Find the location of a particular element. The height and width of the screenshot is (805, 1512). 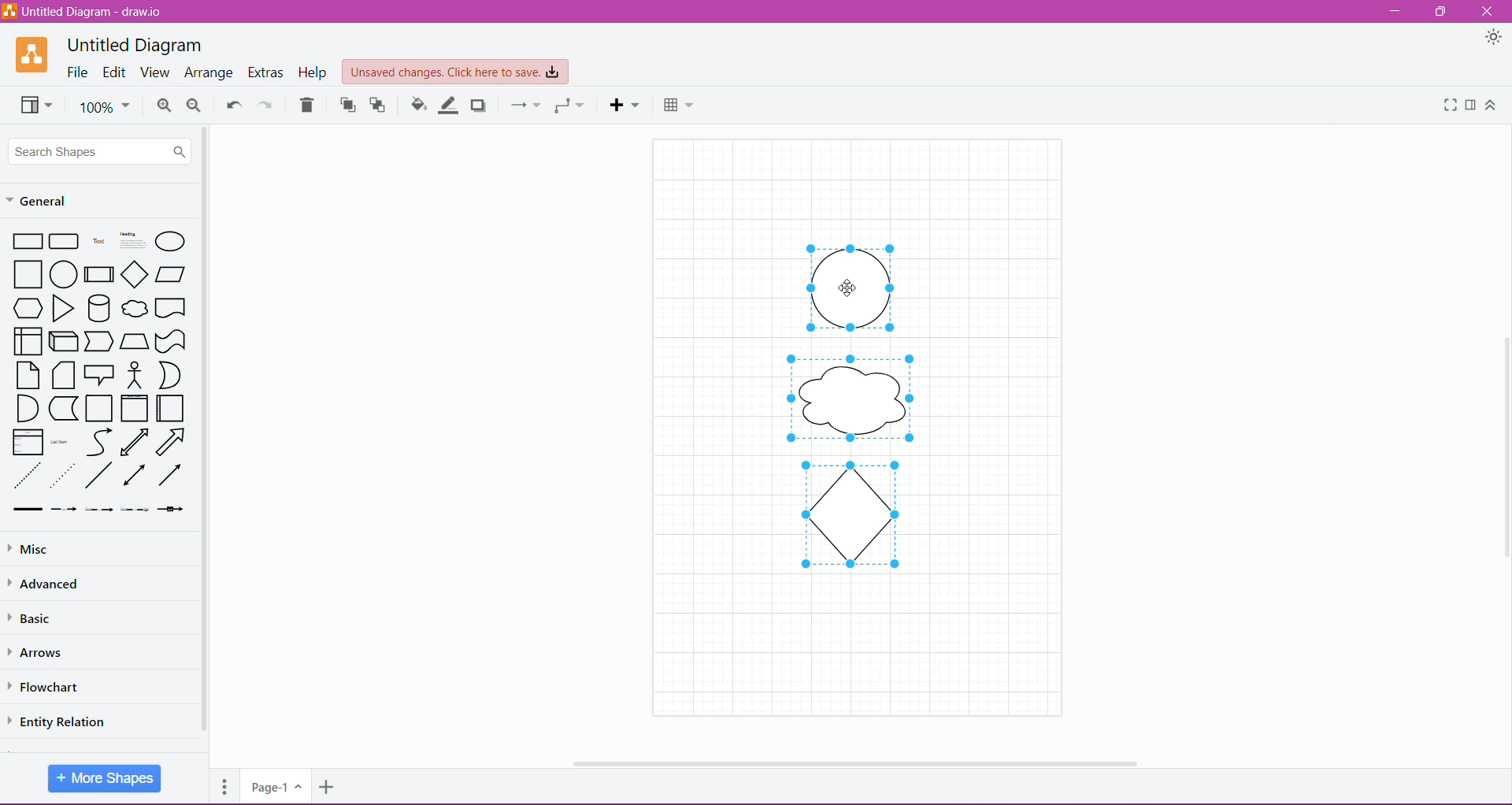

Arrange is located at coordinates (209, 73).